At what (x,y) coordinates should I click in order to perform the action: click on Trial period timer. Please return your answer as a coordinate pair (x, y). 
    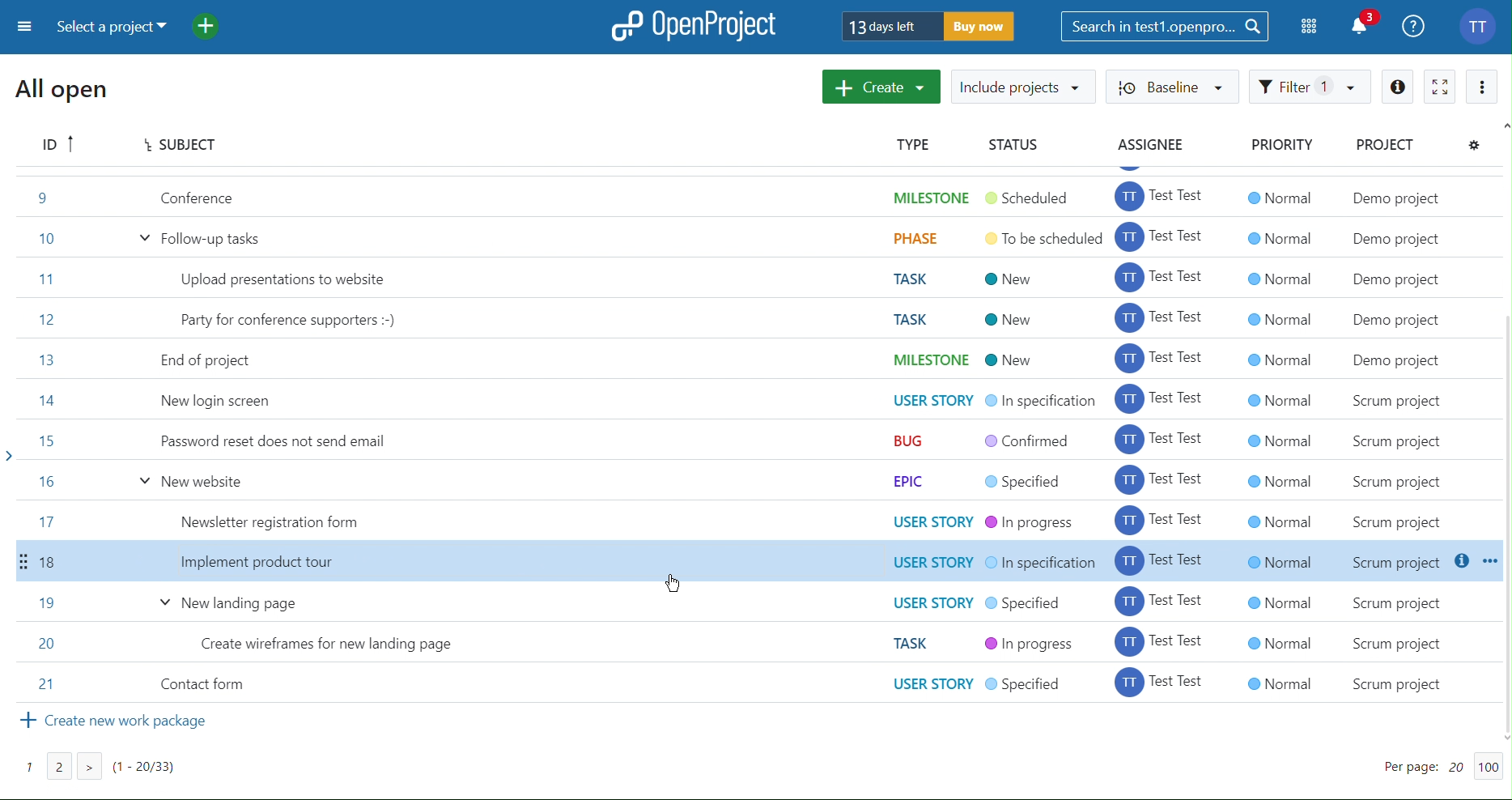
    Looking at the image, I should click on (929, 25).